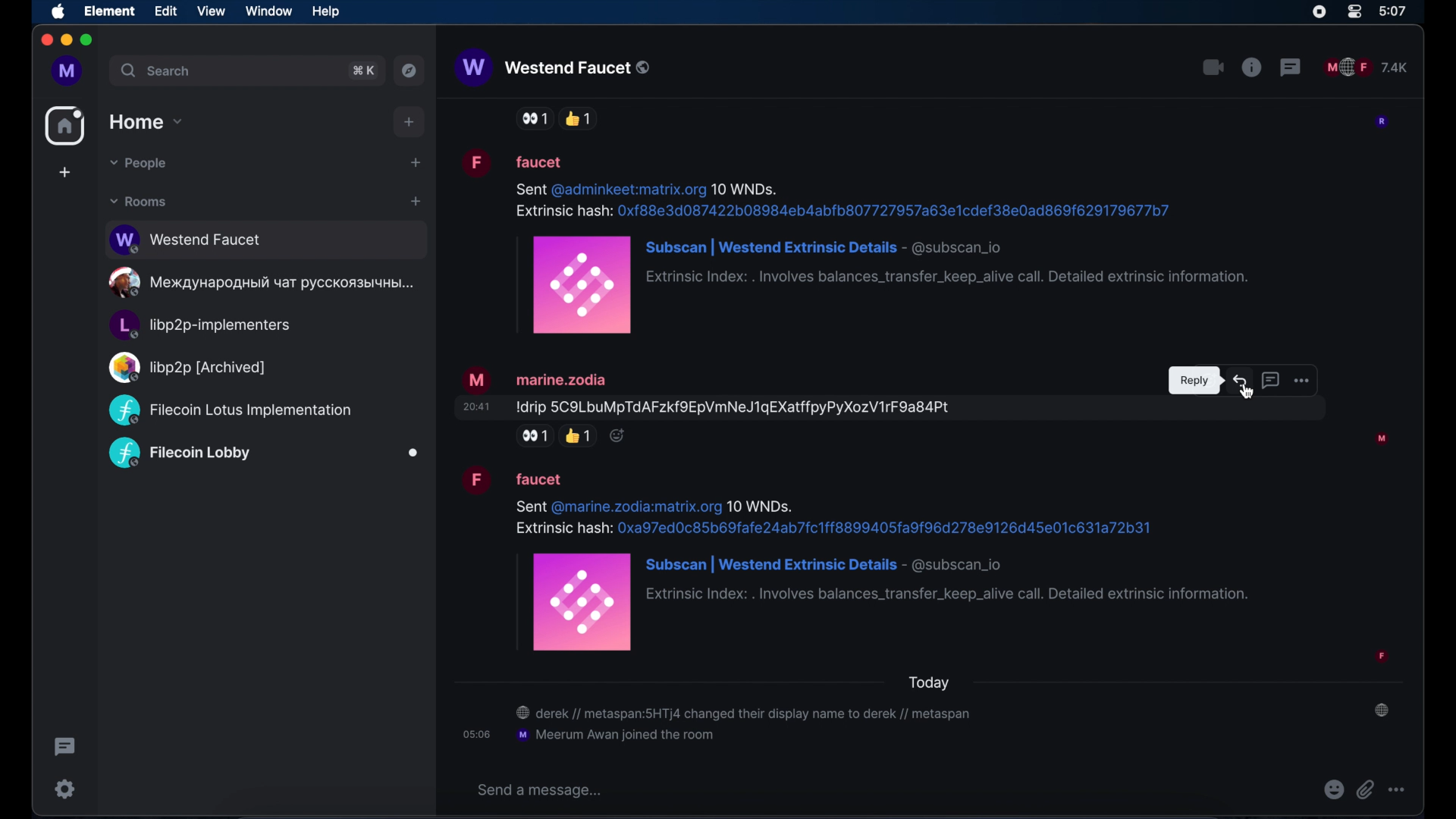 This screenshot has height=819, width=1456. I want to click on home drop down, so click(146, 121).